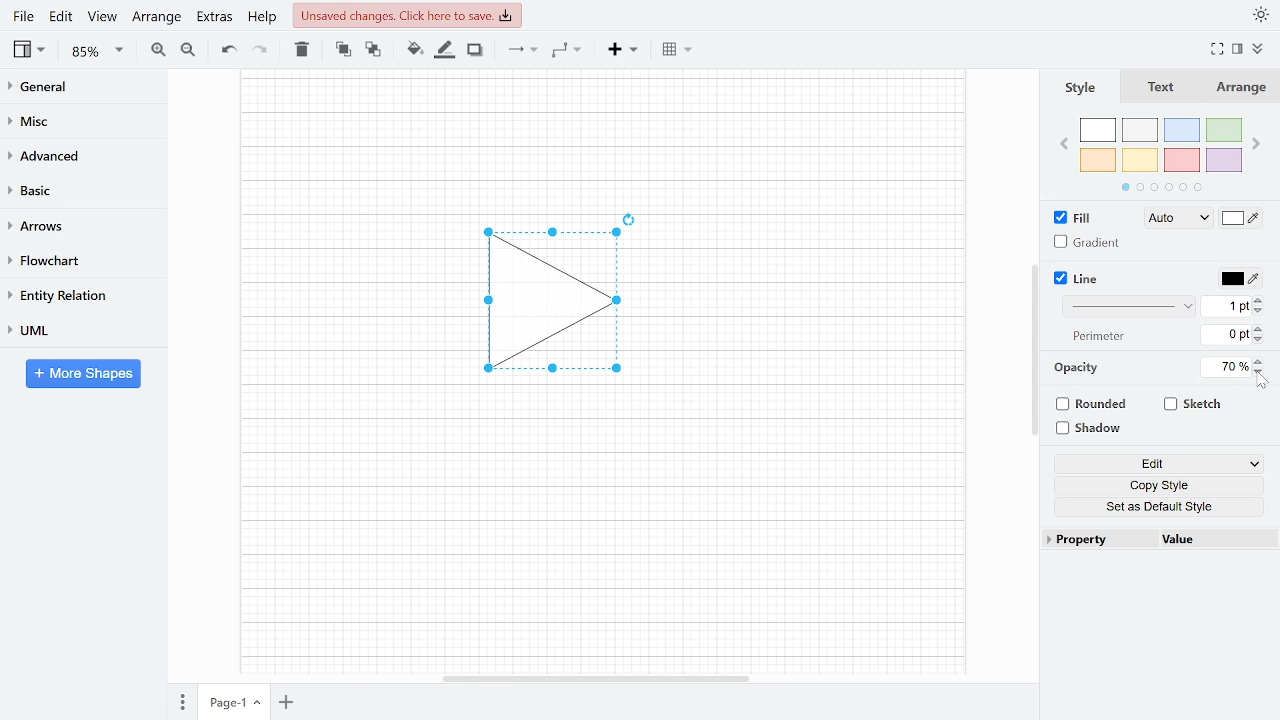  What do you see at coordinates (75, 295) in the screenshot?
I see `Entity relation` at bounding box center [75, 295].